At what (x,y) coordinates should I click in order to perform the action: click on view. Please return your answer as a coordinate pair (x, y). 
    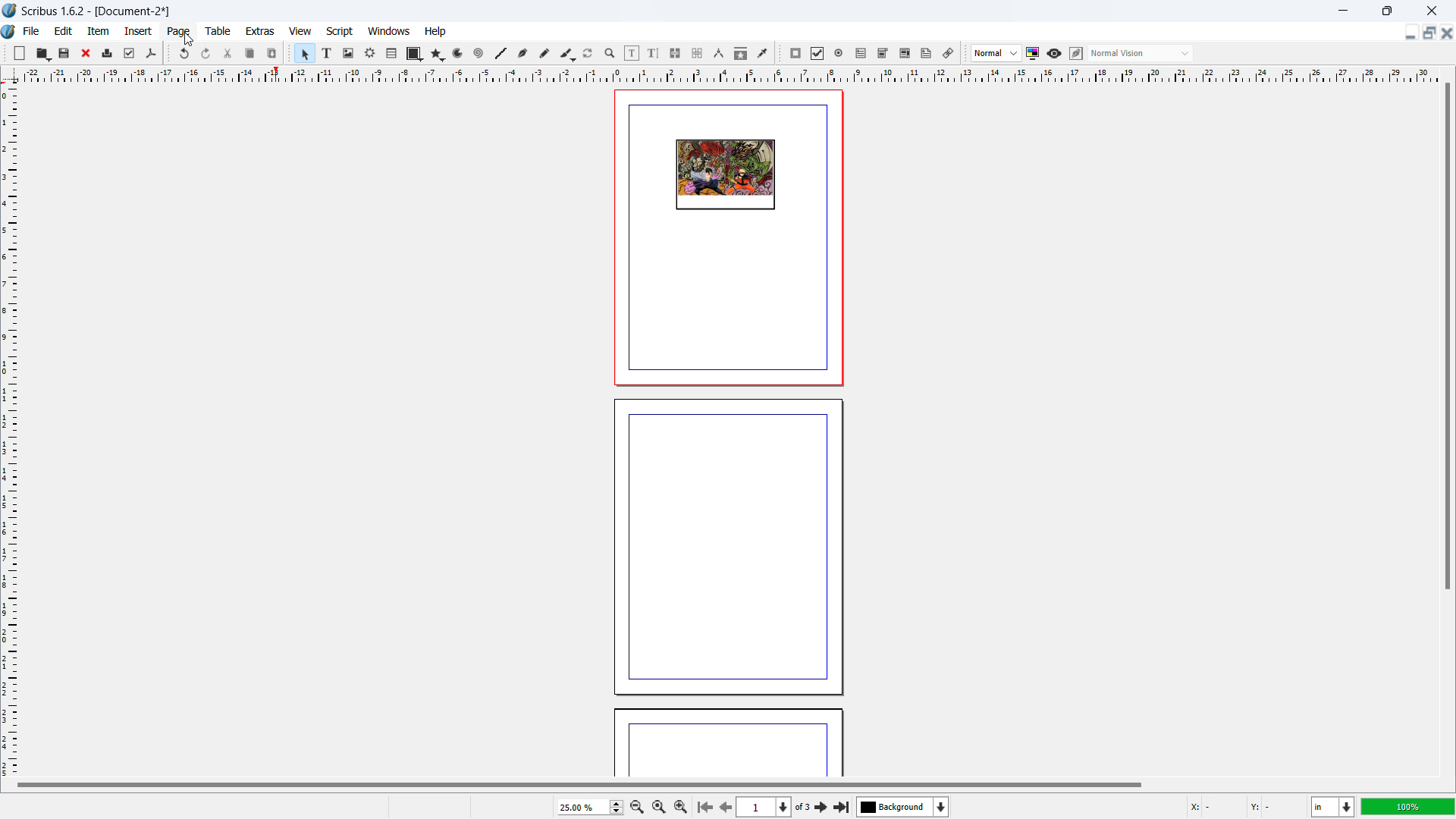
    Looking at the image, I should click on (300, 32).